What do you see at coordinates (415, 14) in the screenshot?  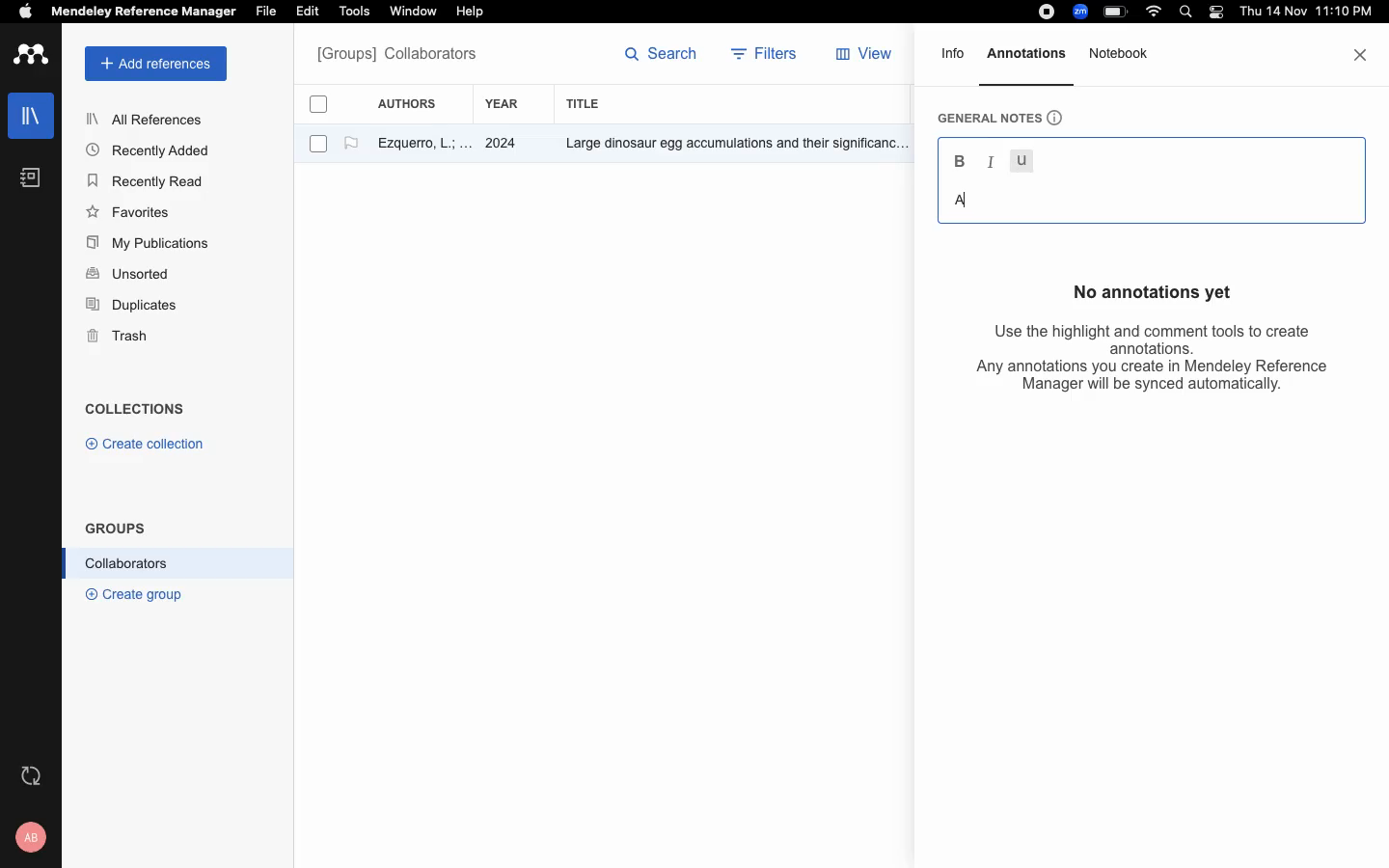 I see `‘Window` at bounding box center [415, 14].